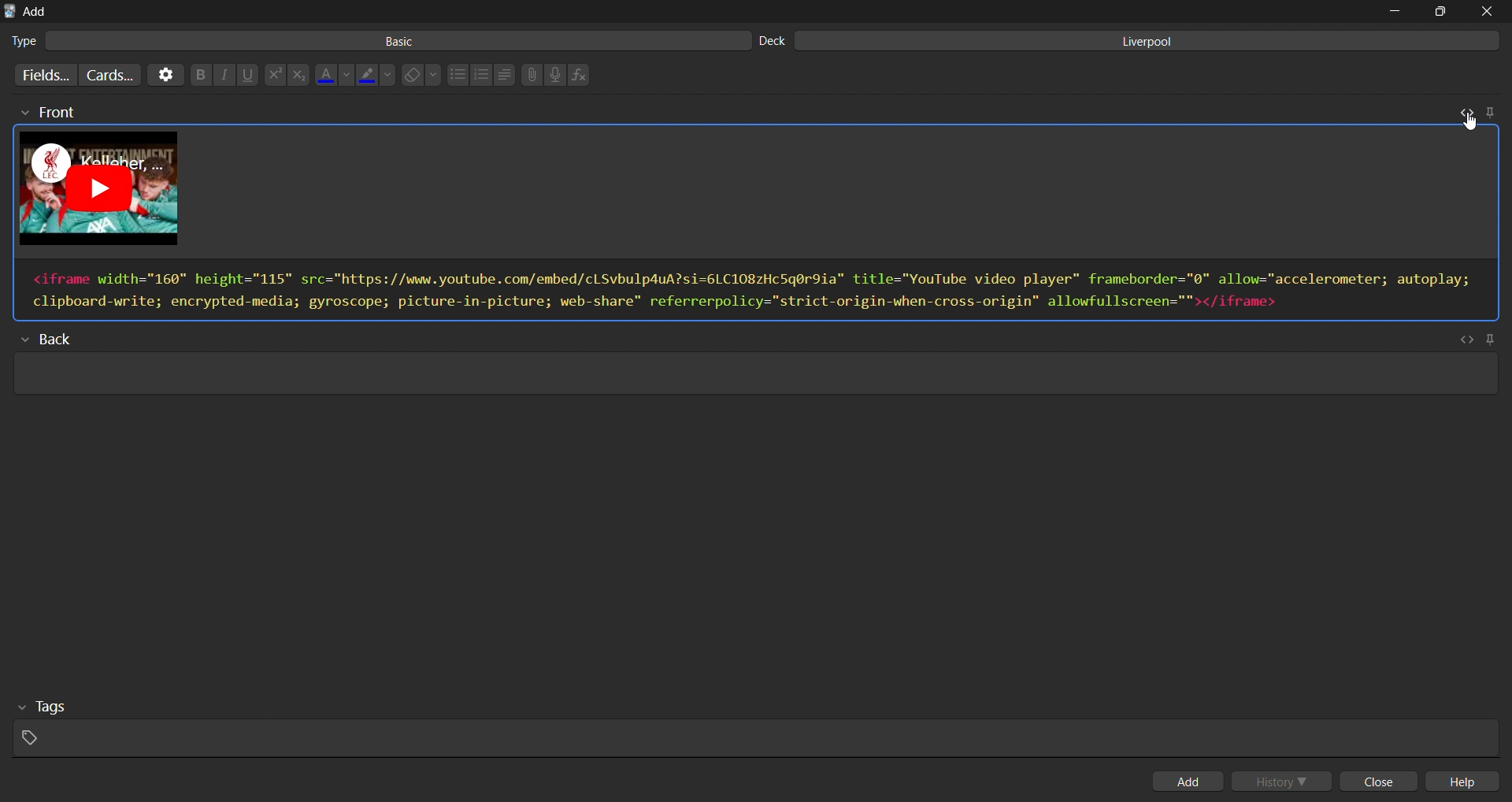  I want to click on erase formatting, so click(424, 75).